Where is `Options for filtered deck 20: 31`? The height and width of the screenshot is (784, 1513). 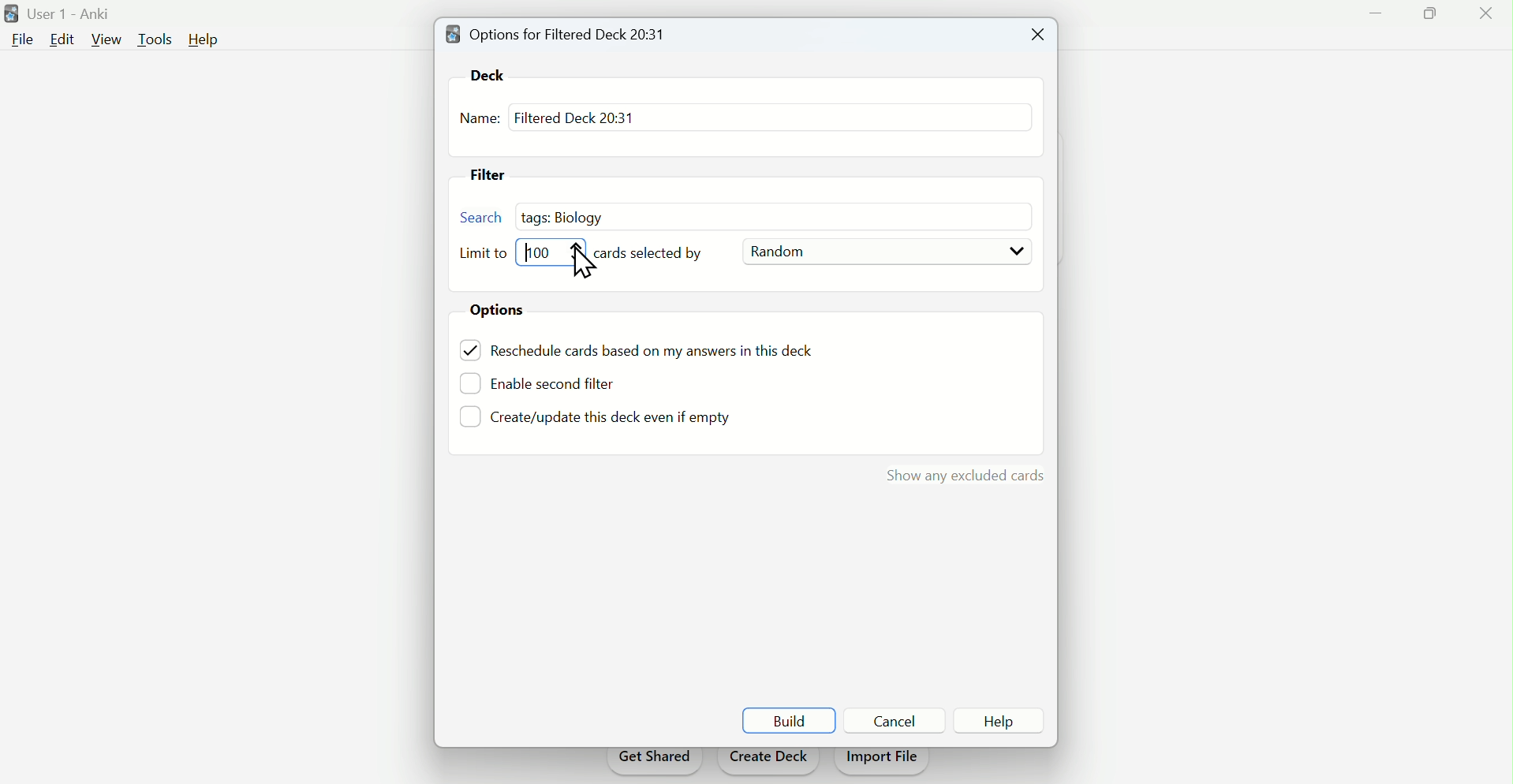 Options for filtered deck 20: 31 is located at coordinates (561, 33).